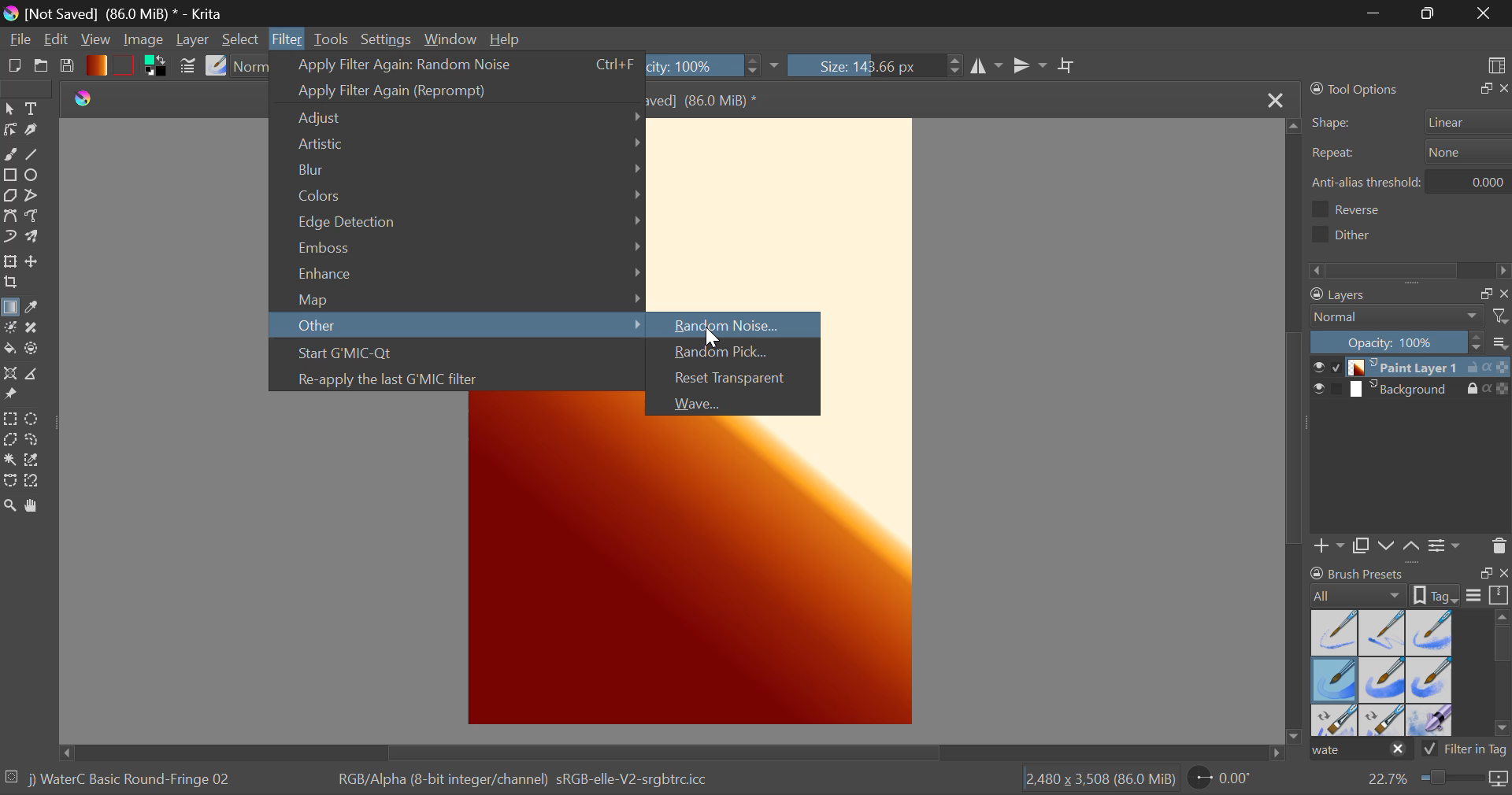 The image size is (1512, 795). What do you see at coordinates (36, 462) in the screenshot?
I see `Same Color Selection` at bounding box center [36, 462].